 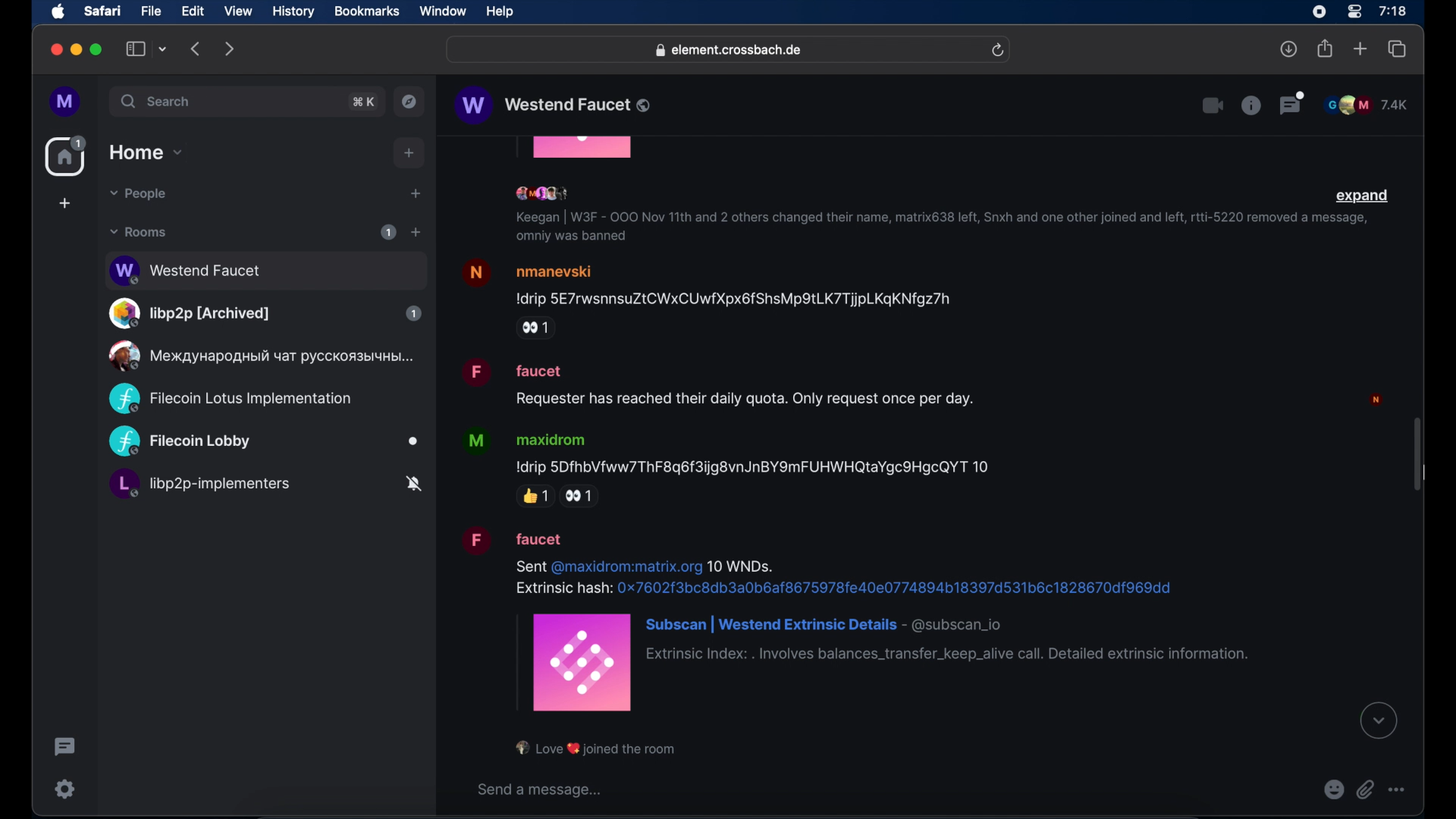 I want to click on minimize, so click(x=77, y=49).